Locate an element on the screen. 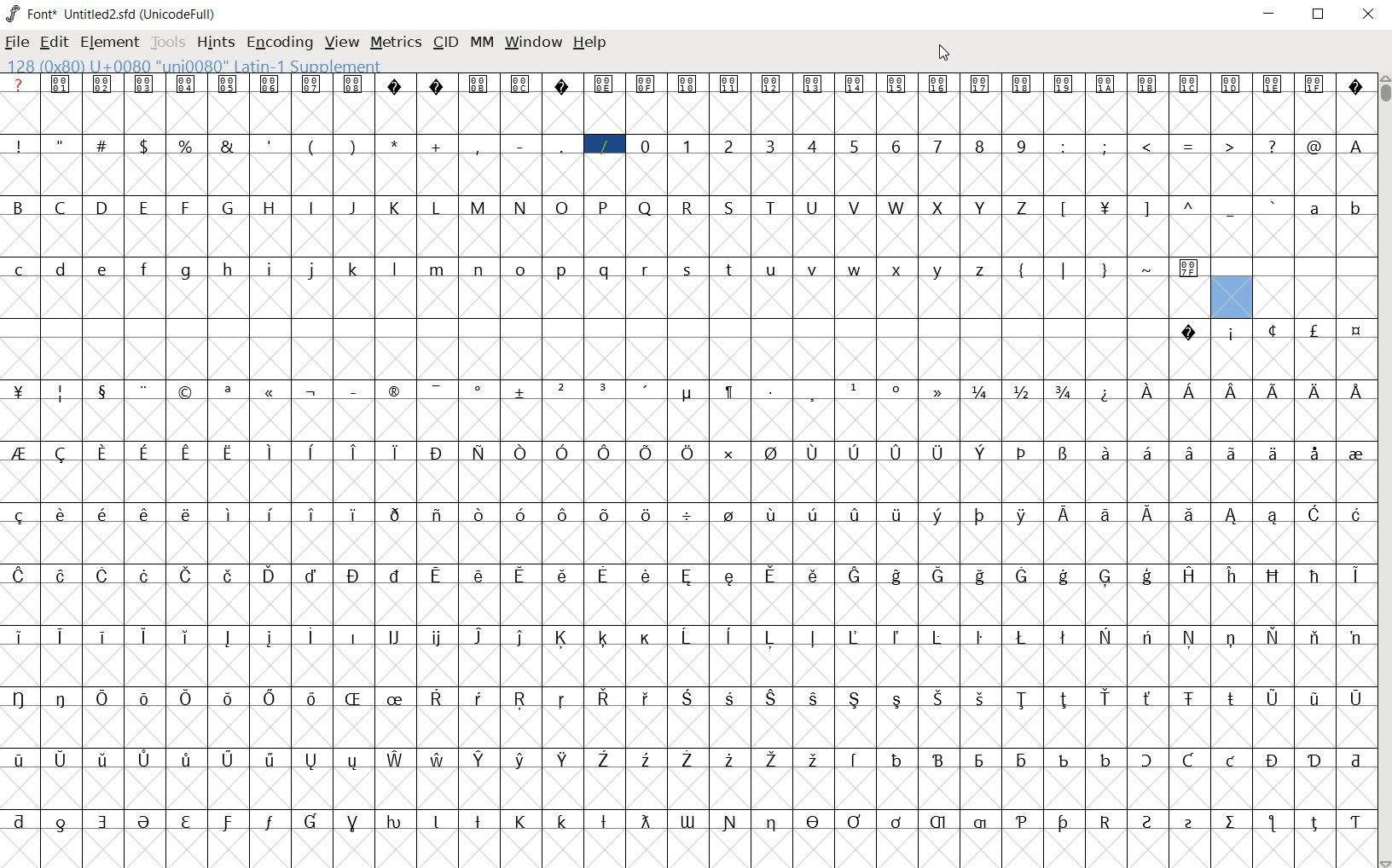  glyph is located at coordinates (898, 760).